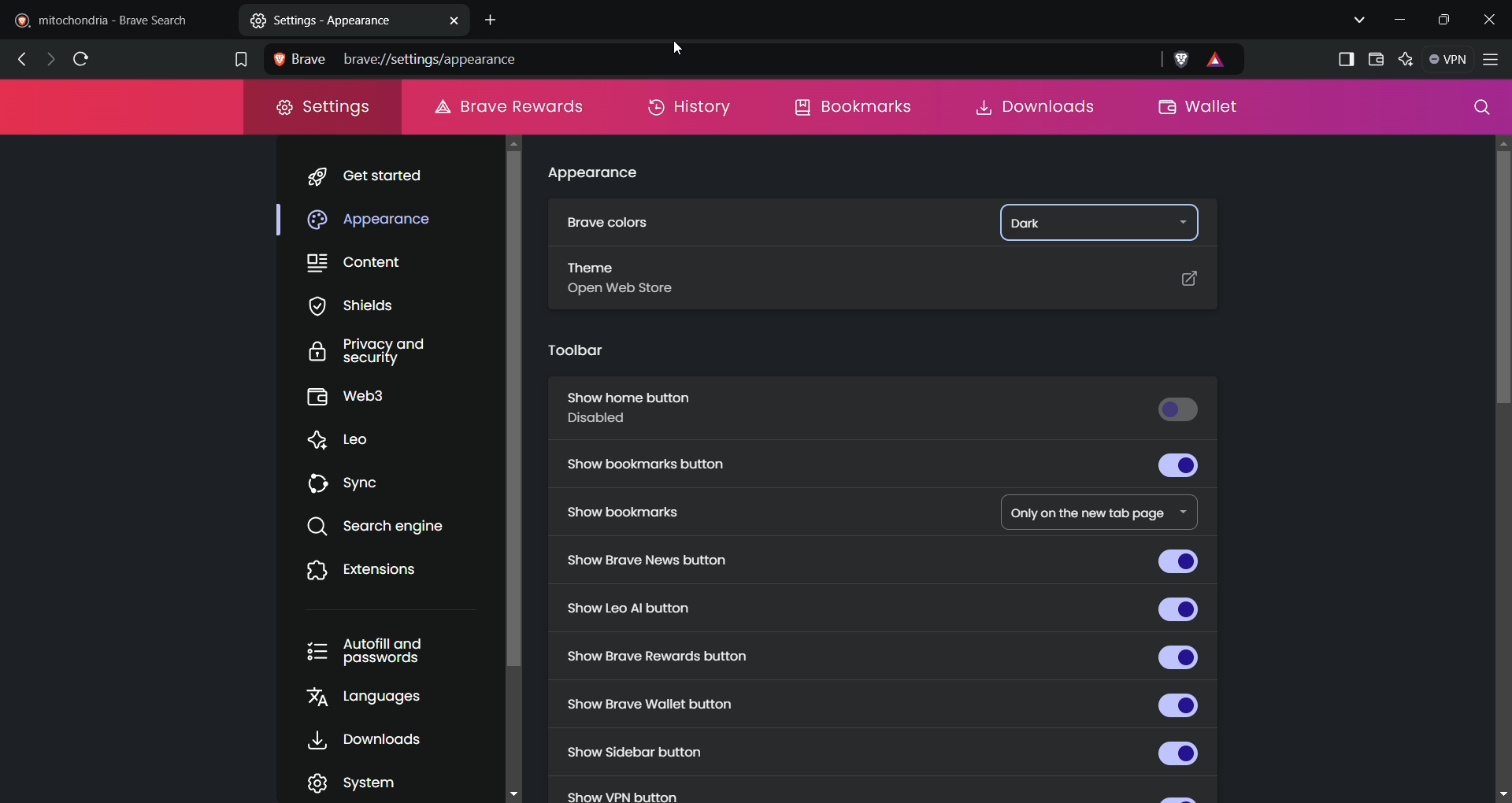 This screenshot has width=1512, height=803. What do you see at coordinates (116, 19) in the screenshot?
I see `mitochondria - brave search` at bounding box center [116, 19].